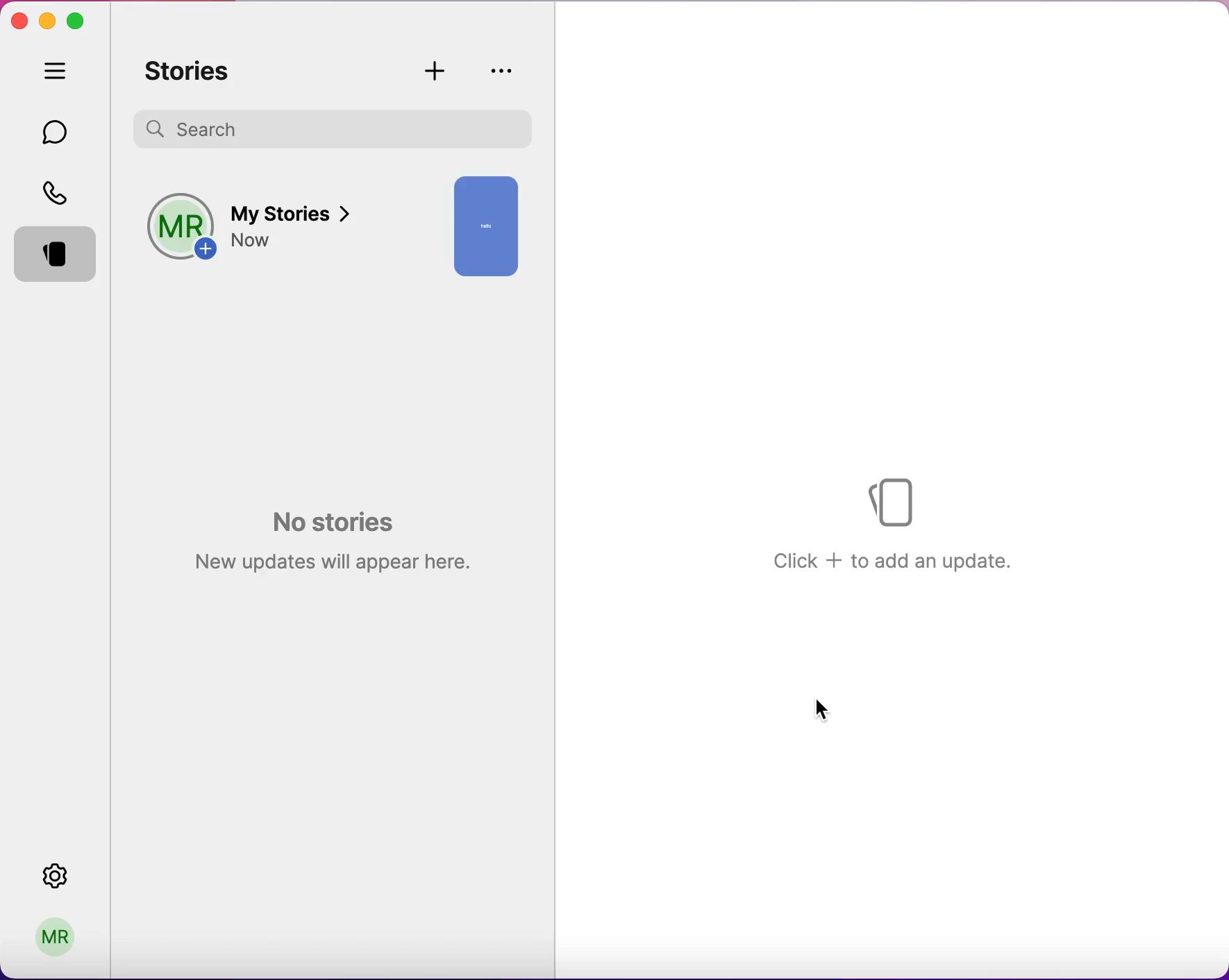 The image size is (1229, 980). Describe the element at coordinates (58, 257) in the screenshot. I see `stories selected` at that location.